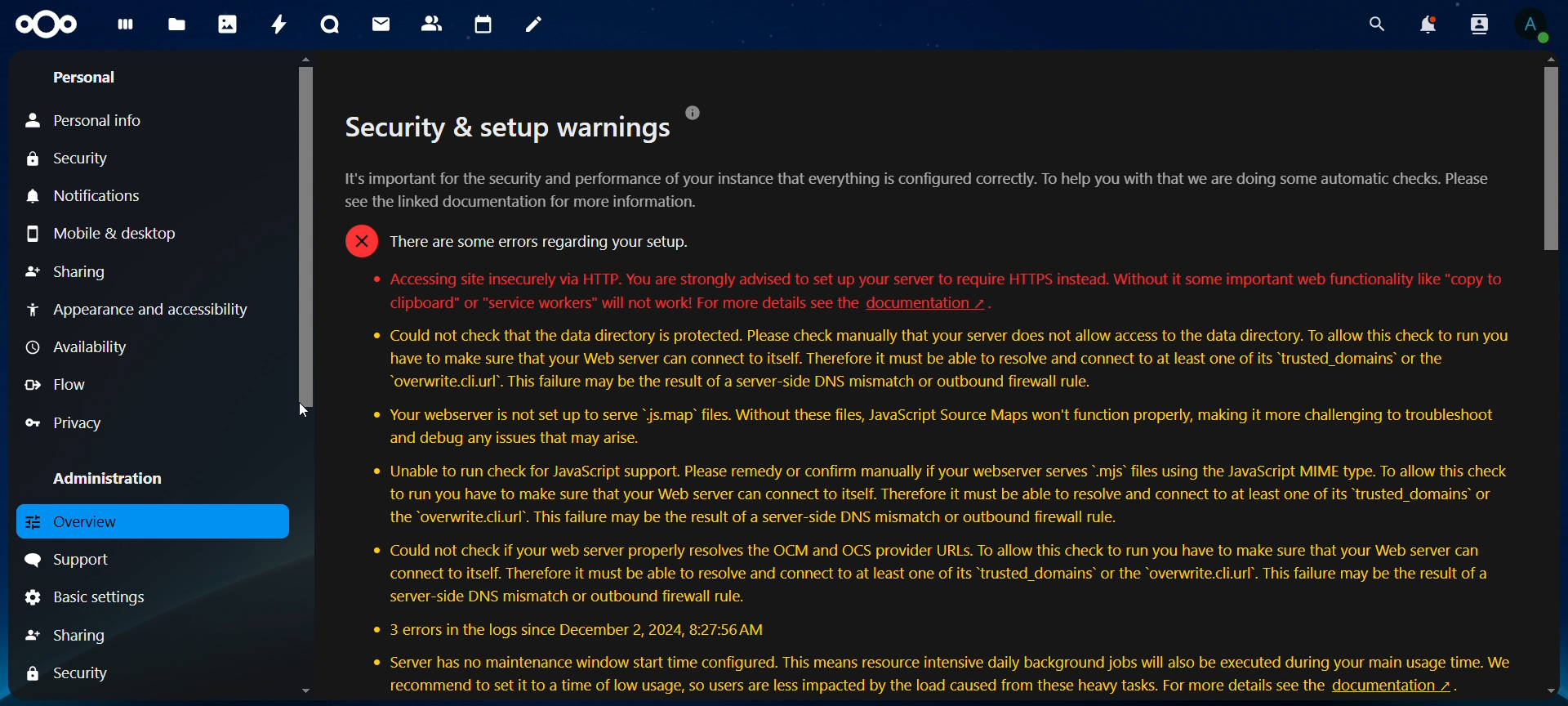 The image size is (1568, 706). What do you see at coordinates (84, 633) in the screenshot?
I see `sharing` at bounding box center [84, 633].